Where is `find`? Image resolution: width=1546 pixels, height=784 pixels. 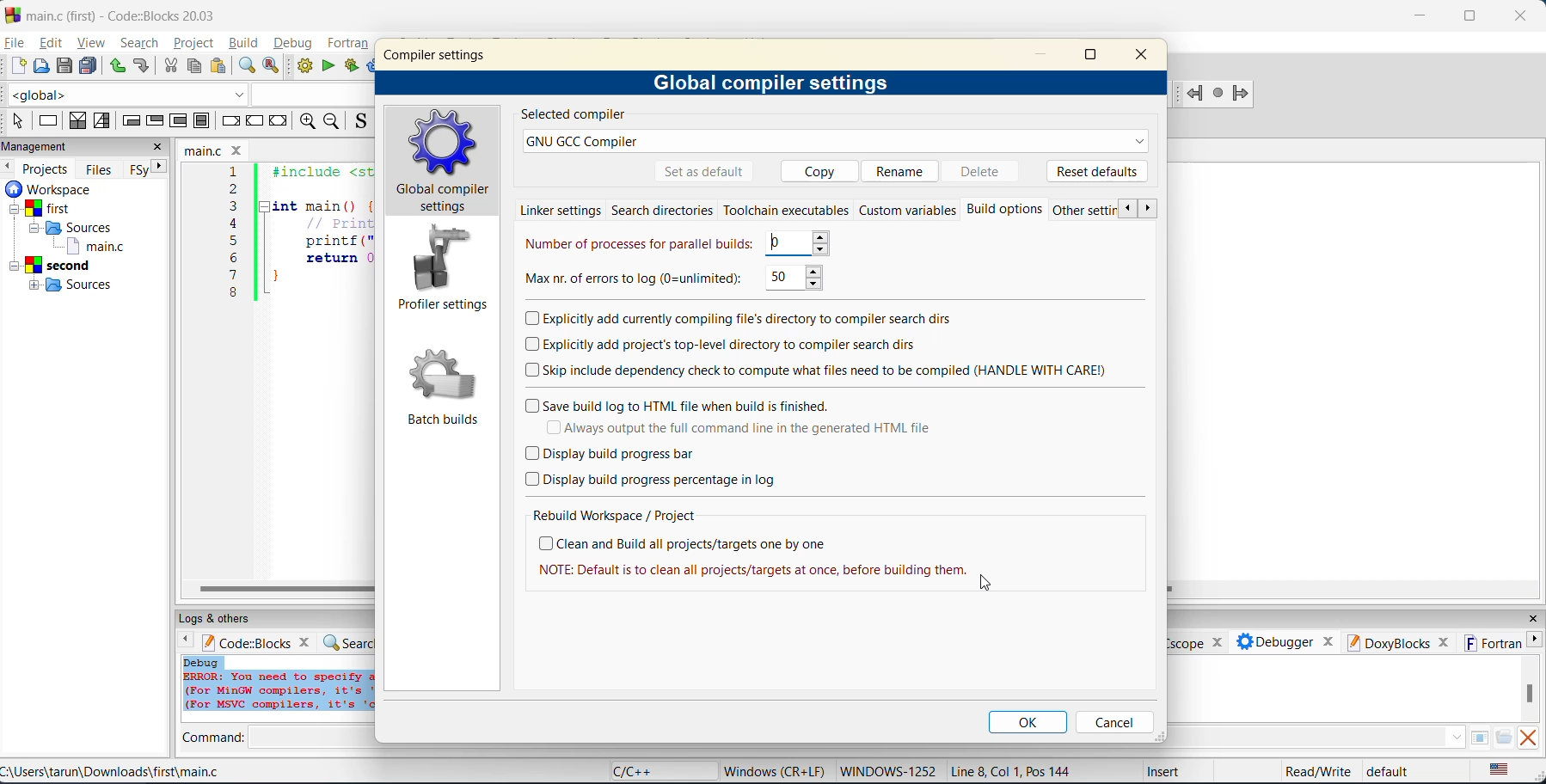 find is located at coordinates (244, 65).